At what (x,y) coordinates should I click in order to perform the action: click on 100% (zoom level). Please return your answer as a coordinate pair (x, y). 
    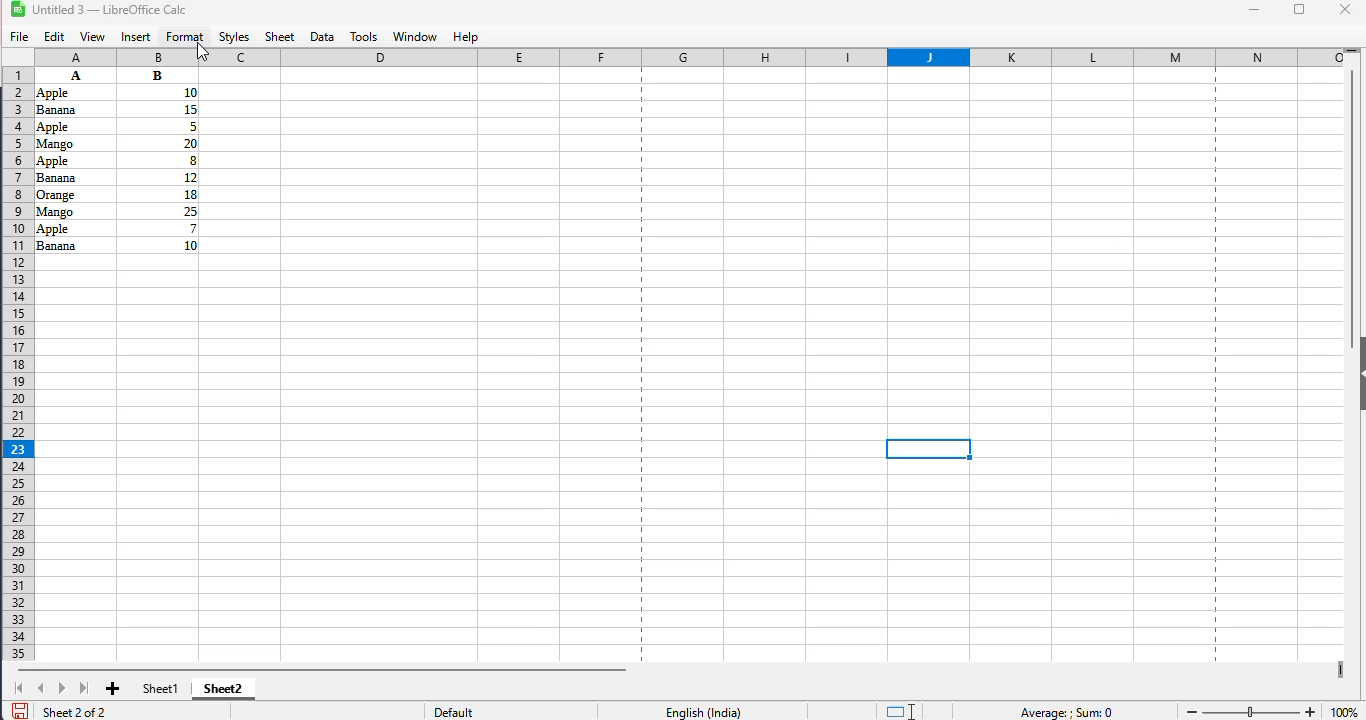
    Looking at the image, I should click on (1345, 708).